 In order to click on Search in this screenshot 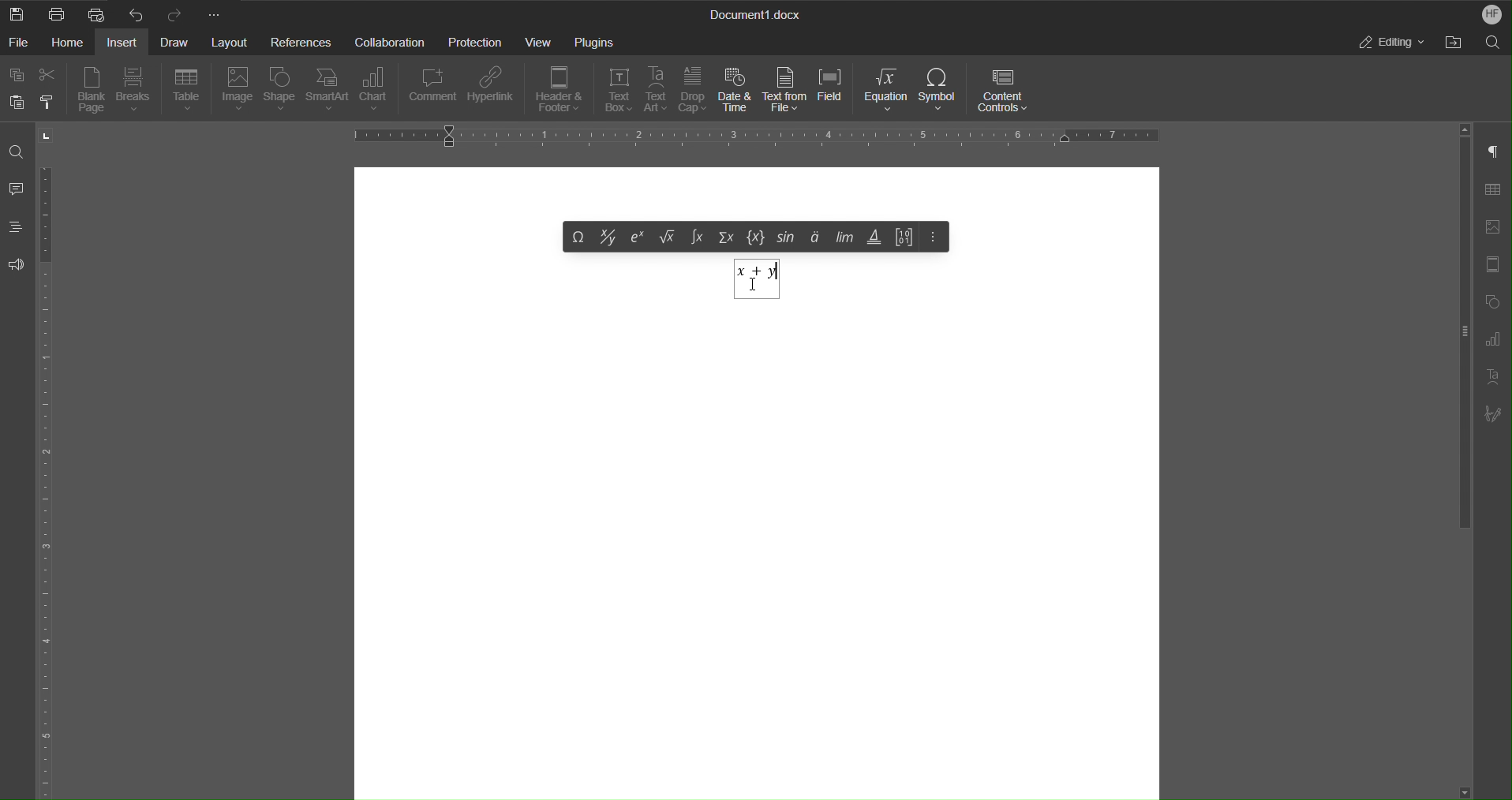, I will do `click(1496, 43)`.